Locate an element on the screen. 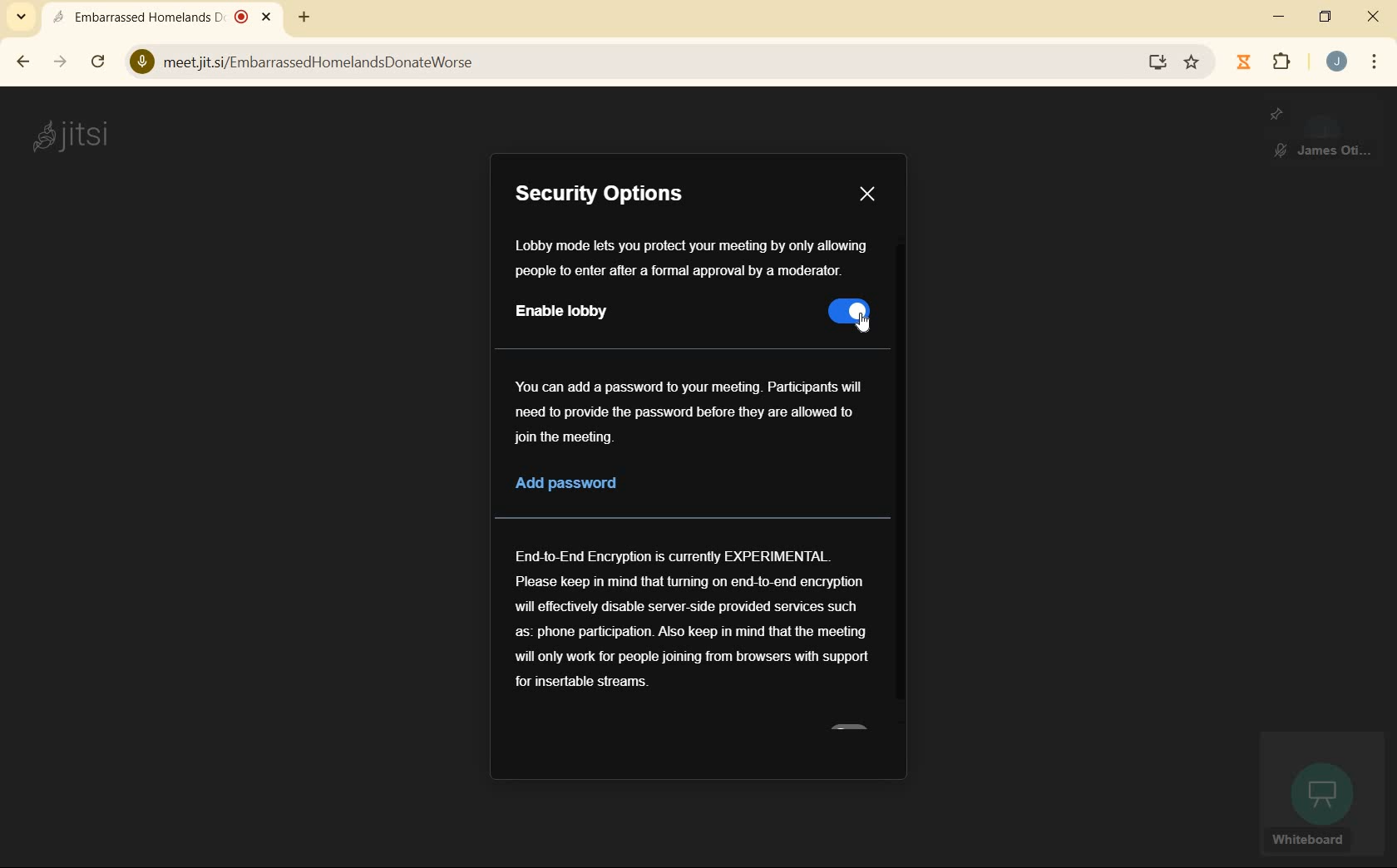 This screenshot has height=868, width=1397. CLOSE is located at coordinates (866, 194).